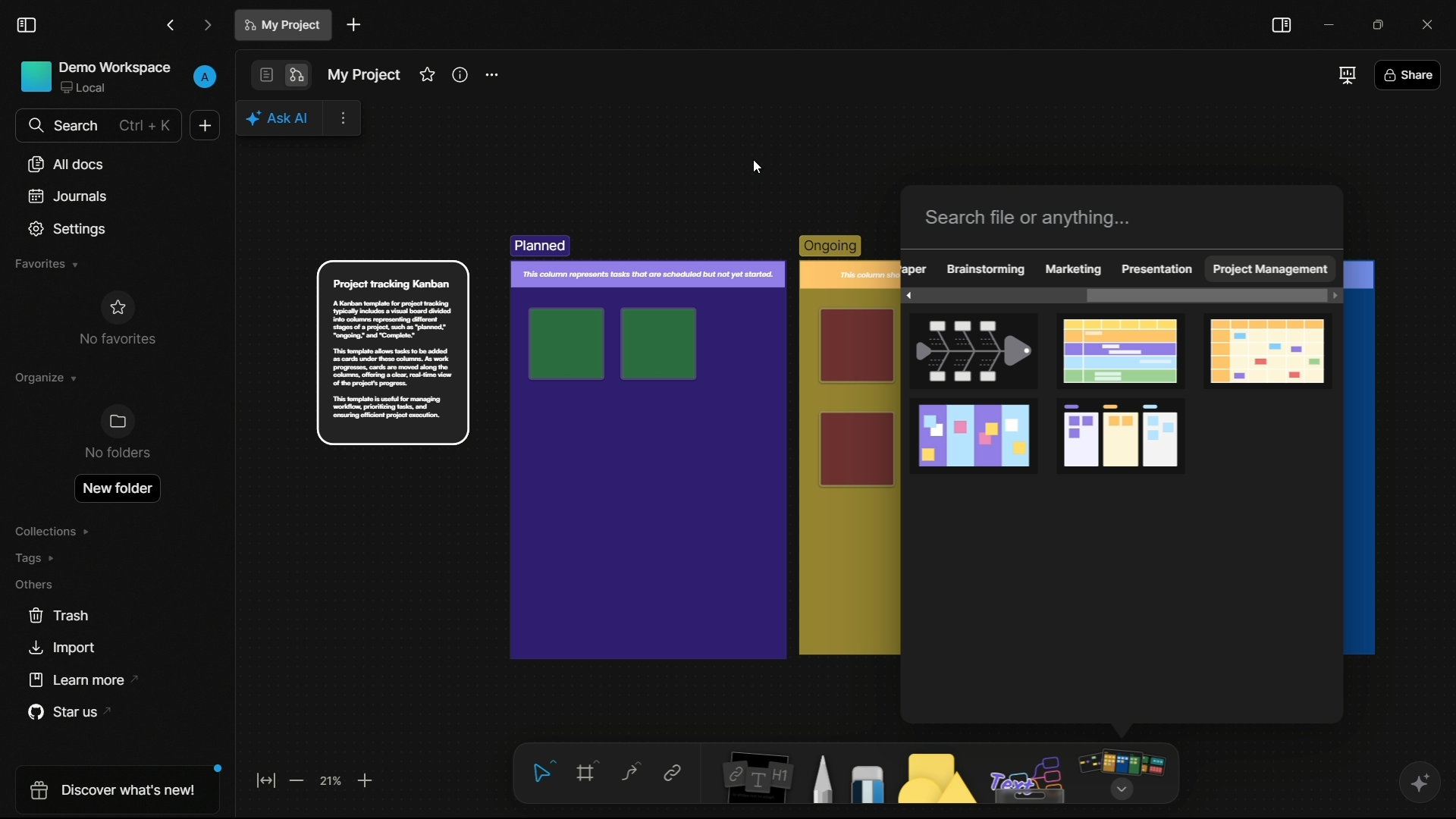 The height and width of the screenshot is (819, 1456). I want to click on page mode, so click(265, 75).